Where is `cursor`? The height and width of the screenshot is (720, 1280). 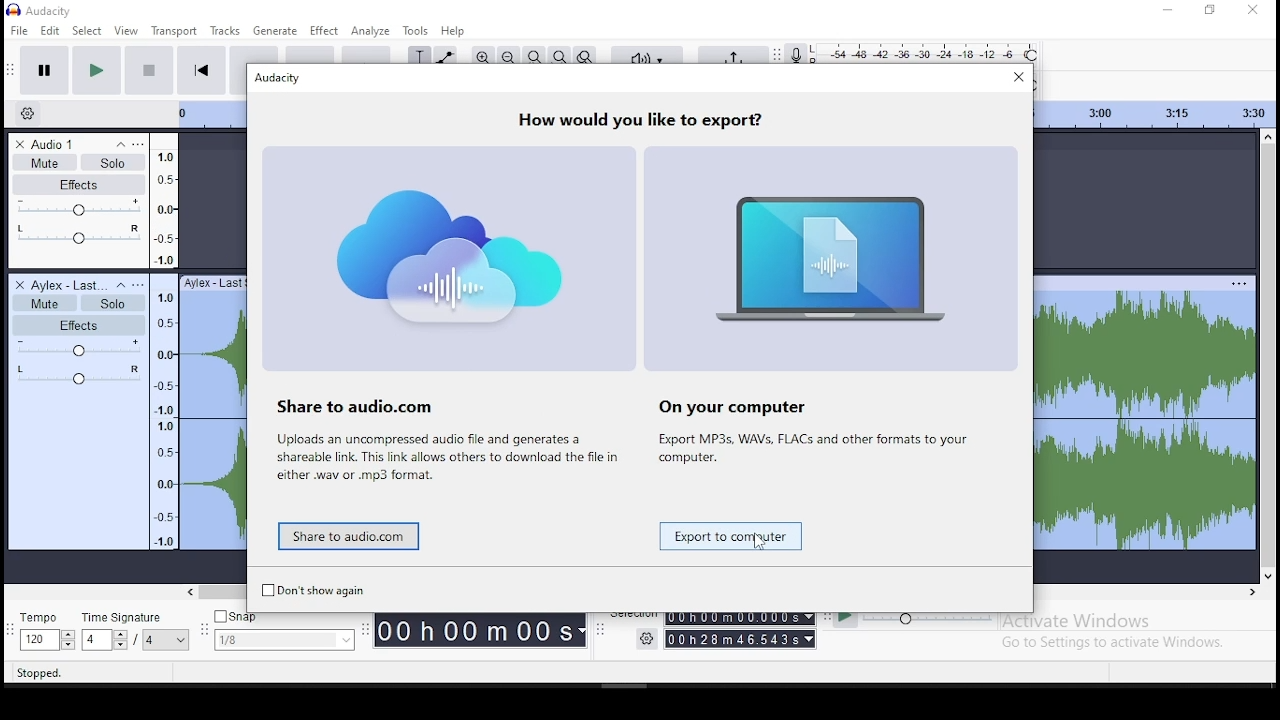
cursor is located at coordinates (762, 543).